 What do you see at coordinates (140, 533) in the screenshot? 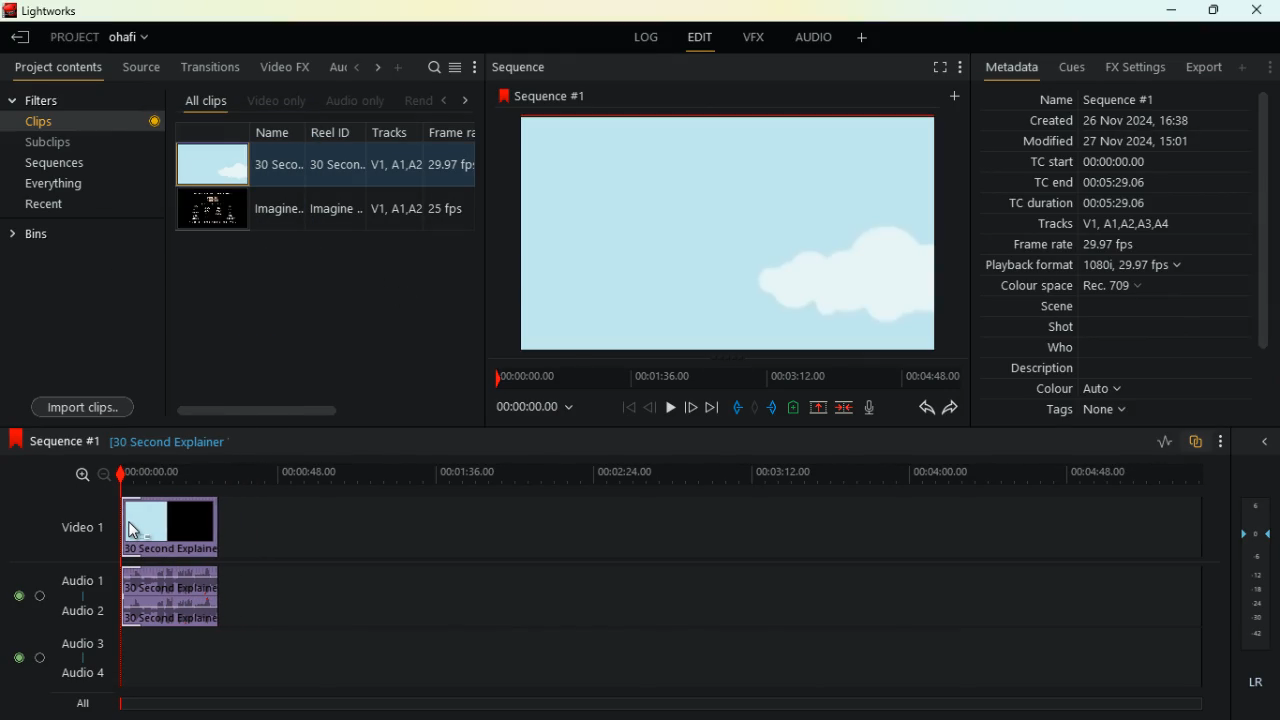
I see `Mouse Cursor` at bounding box center [140, 533].